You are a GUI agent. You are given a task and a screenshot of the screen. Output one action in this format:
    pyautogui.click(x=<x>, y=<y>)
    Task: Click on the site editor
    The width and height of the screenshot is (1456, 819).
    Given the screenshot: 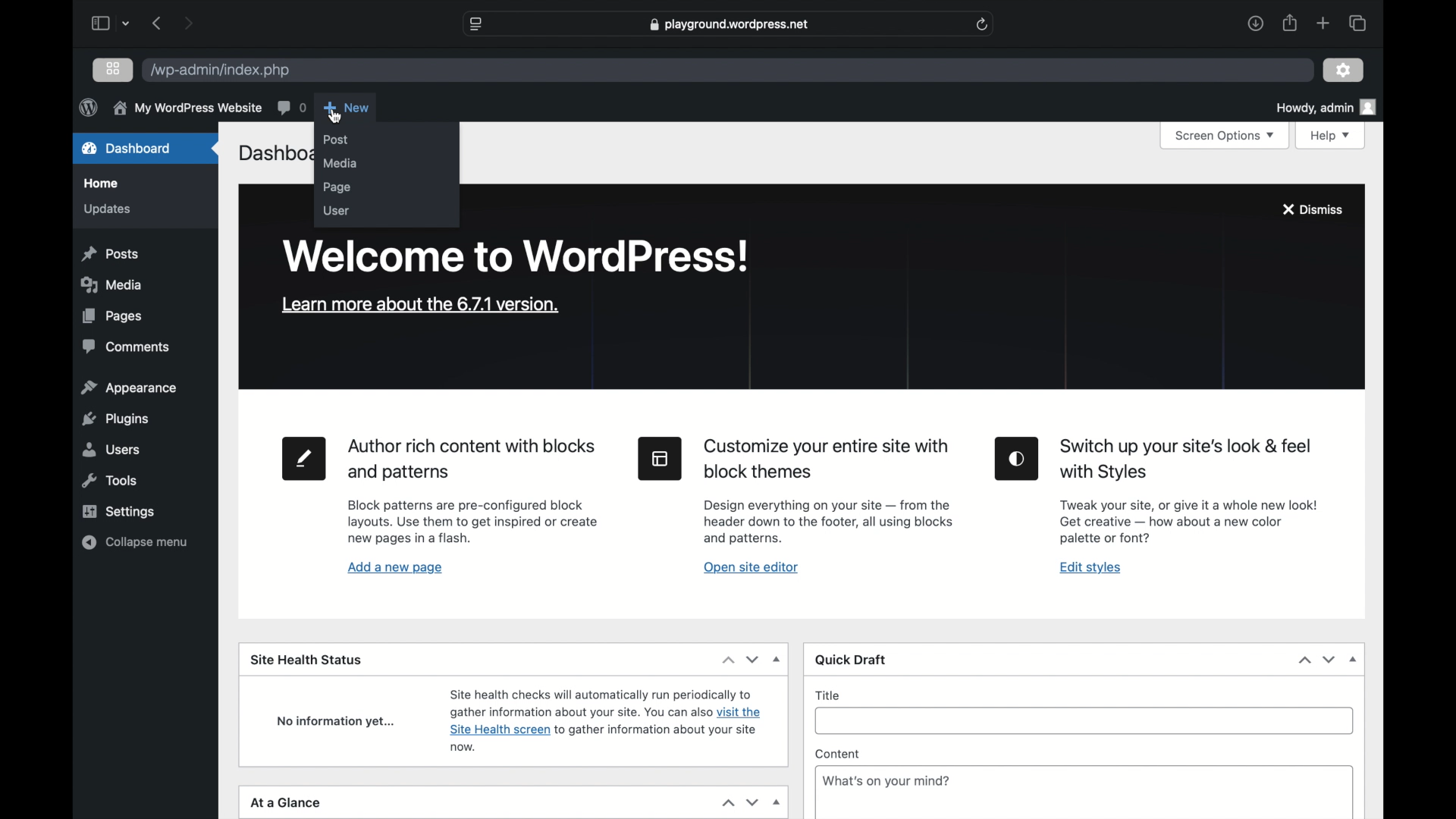 What is the action you would take?
    pyautogui.click(x=660, y=458)
    